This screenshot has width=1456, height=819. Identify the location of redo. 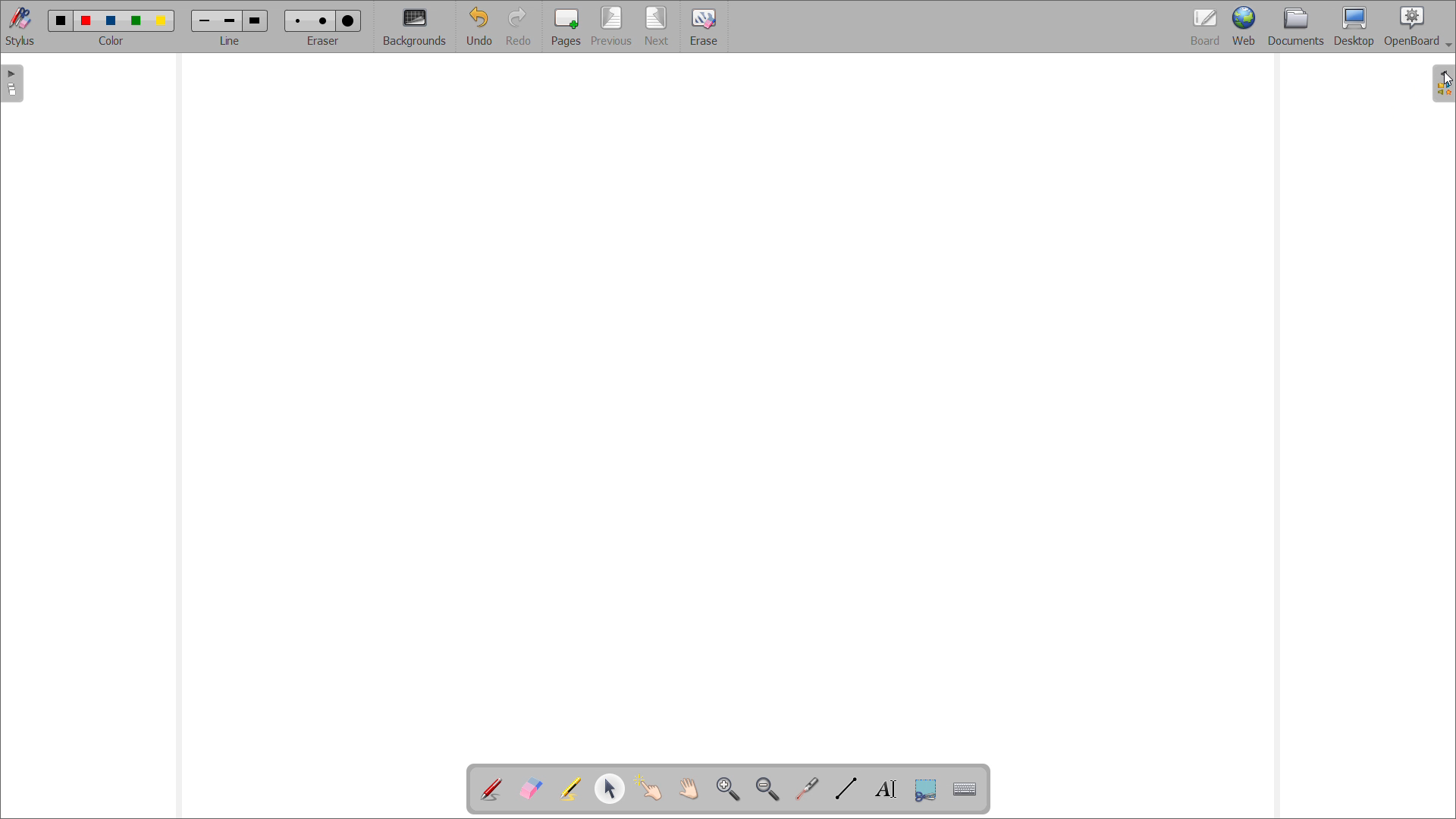
(521, 27).